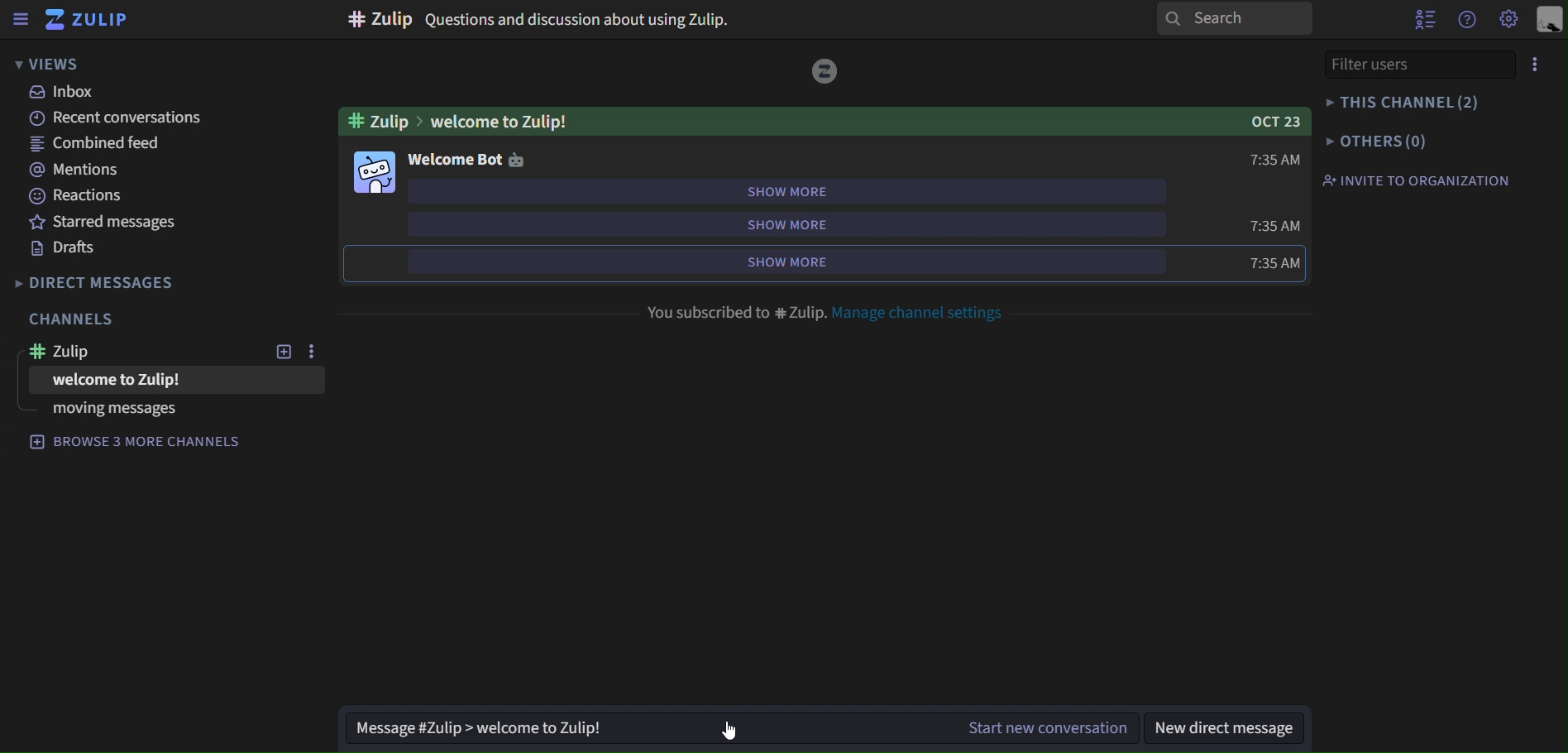  Describe the element at coordinates (98, 146) in the screenshot. I see `combined feed` at that location.